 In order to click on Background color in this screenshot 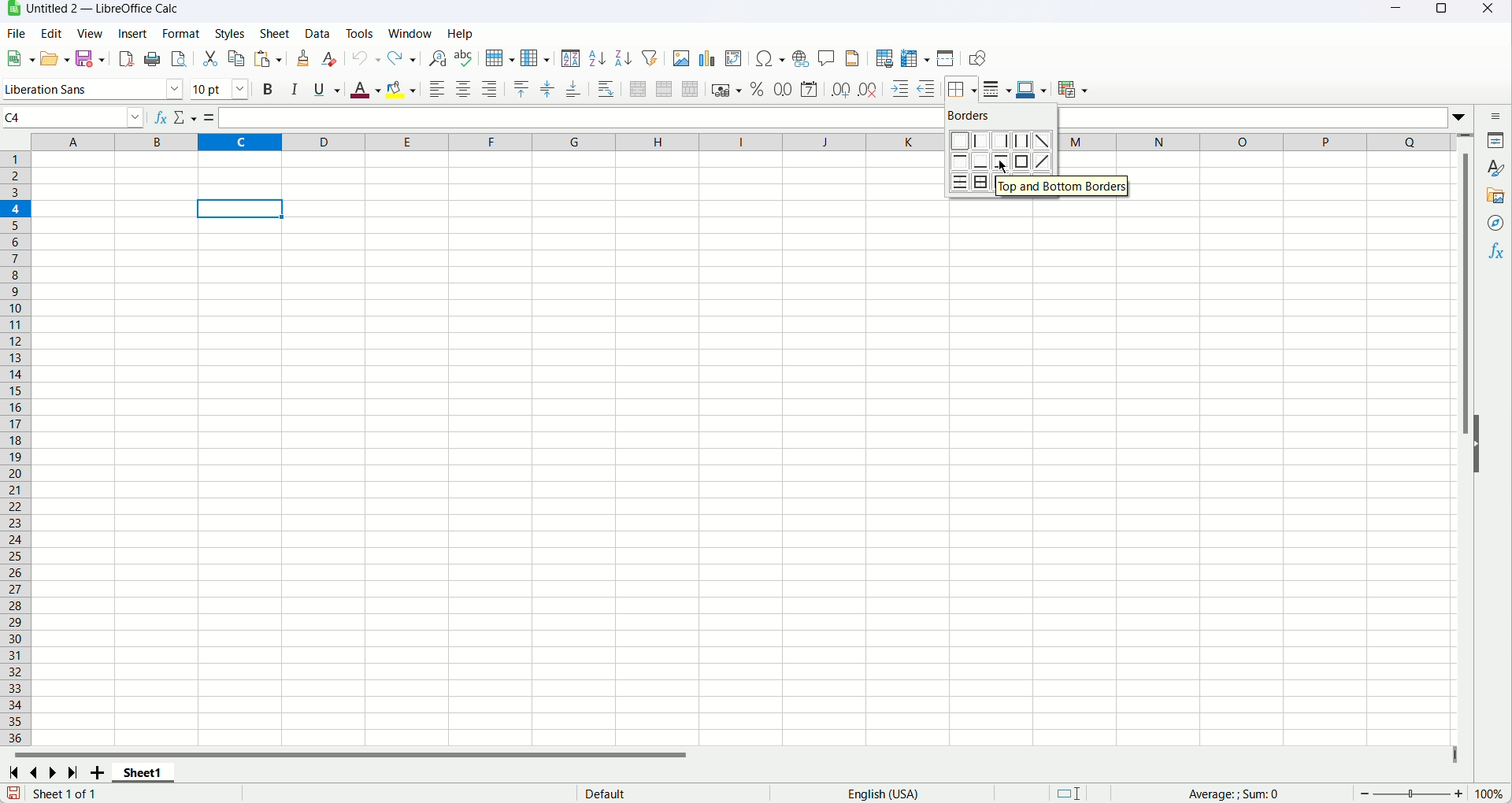, I will do `click(402, 91)`.